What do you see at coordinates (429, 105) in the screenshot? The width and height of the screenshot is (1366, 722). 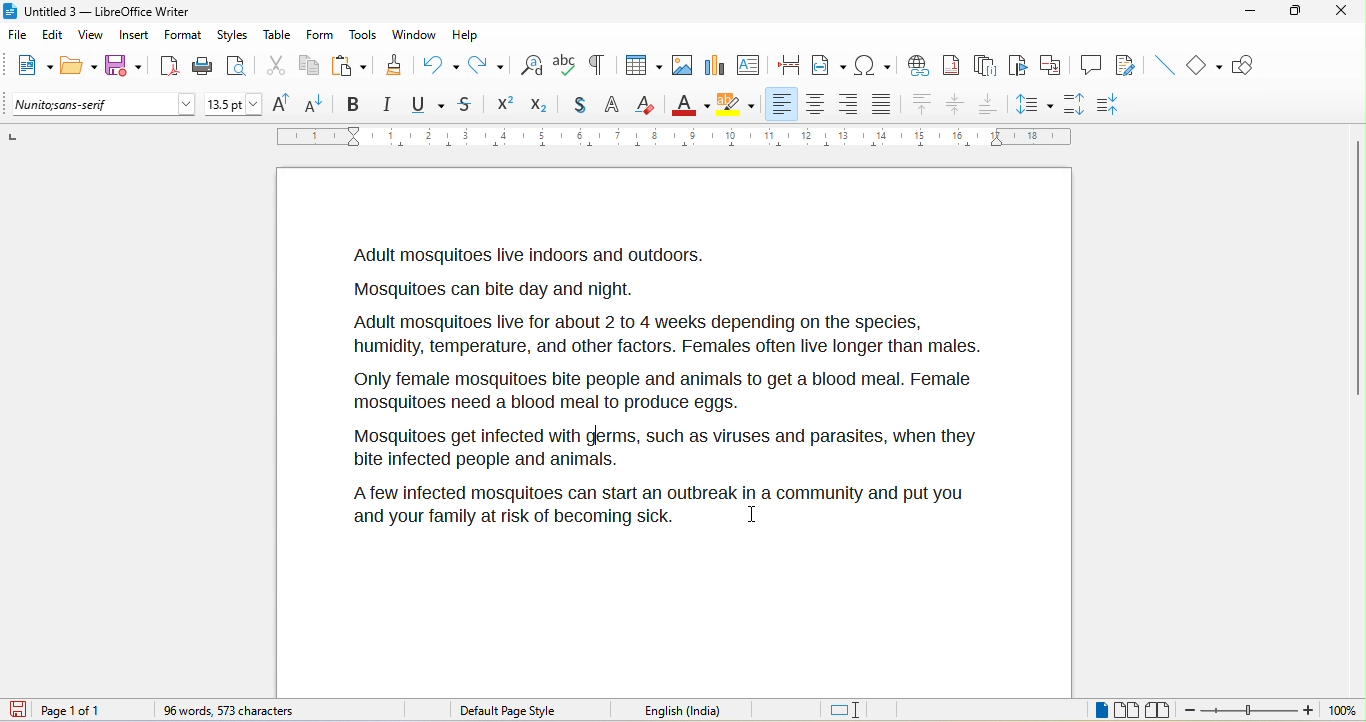 I see `underline` at bounding box center [429, 105].